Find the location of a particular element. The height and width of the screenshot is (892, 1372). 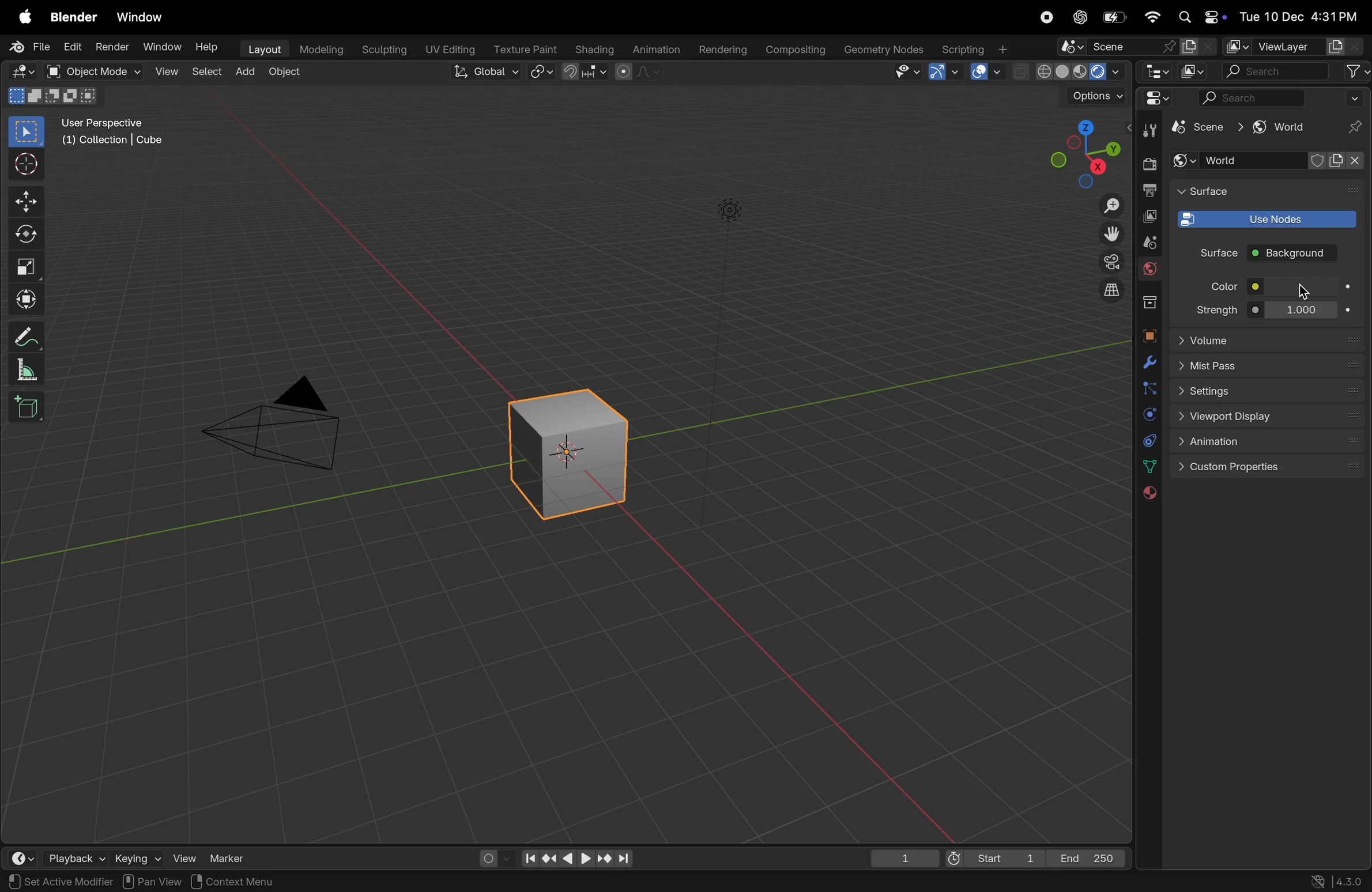

object  is located at coordinates (1148, 335).